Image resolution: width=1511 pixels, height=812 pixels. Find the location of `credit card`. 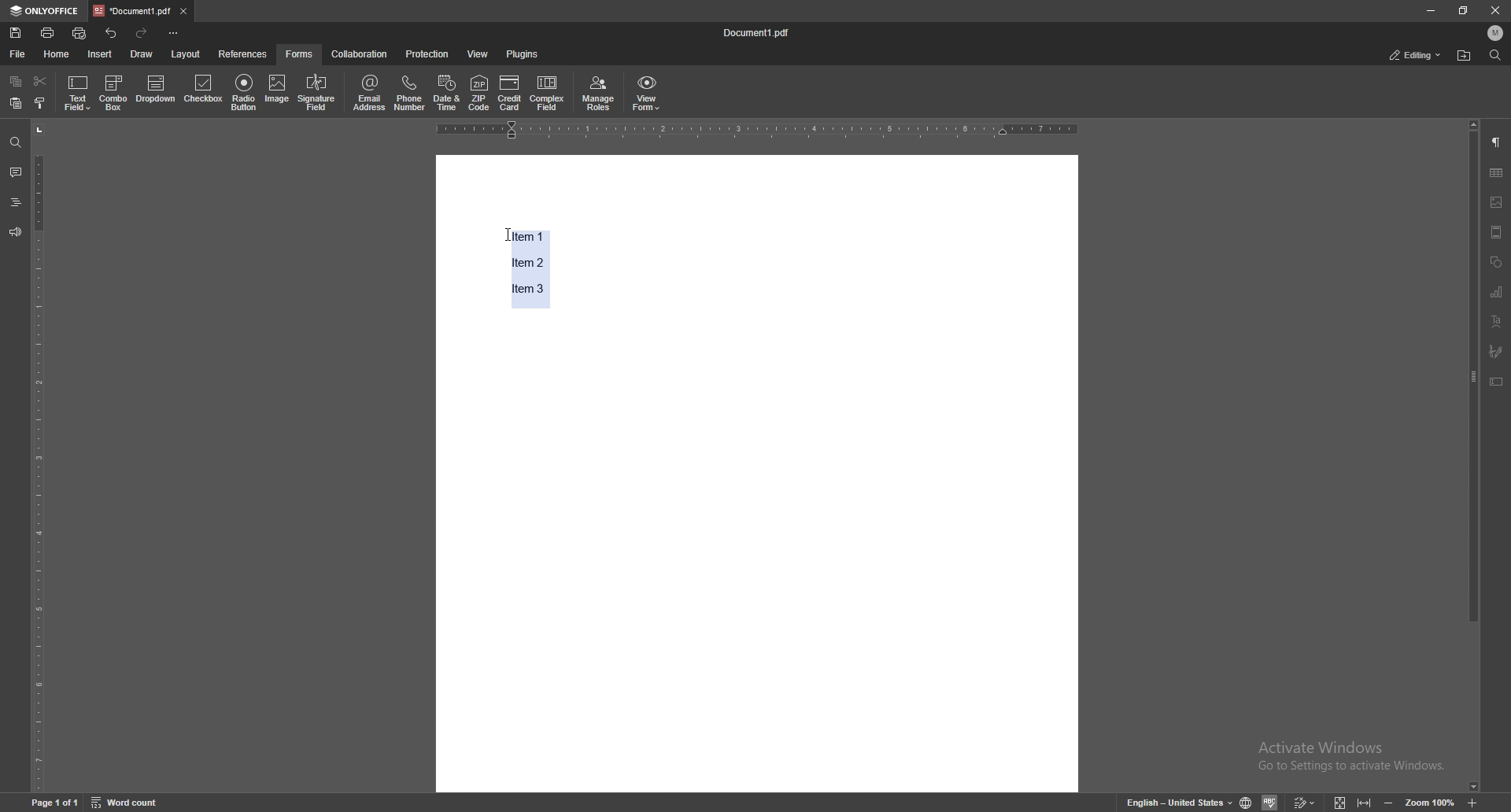

credit card is located at coordinates (512, 94).